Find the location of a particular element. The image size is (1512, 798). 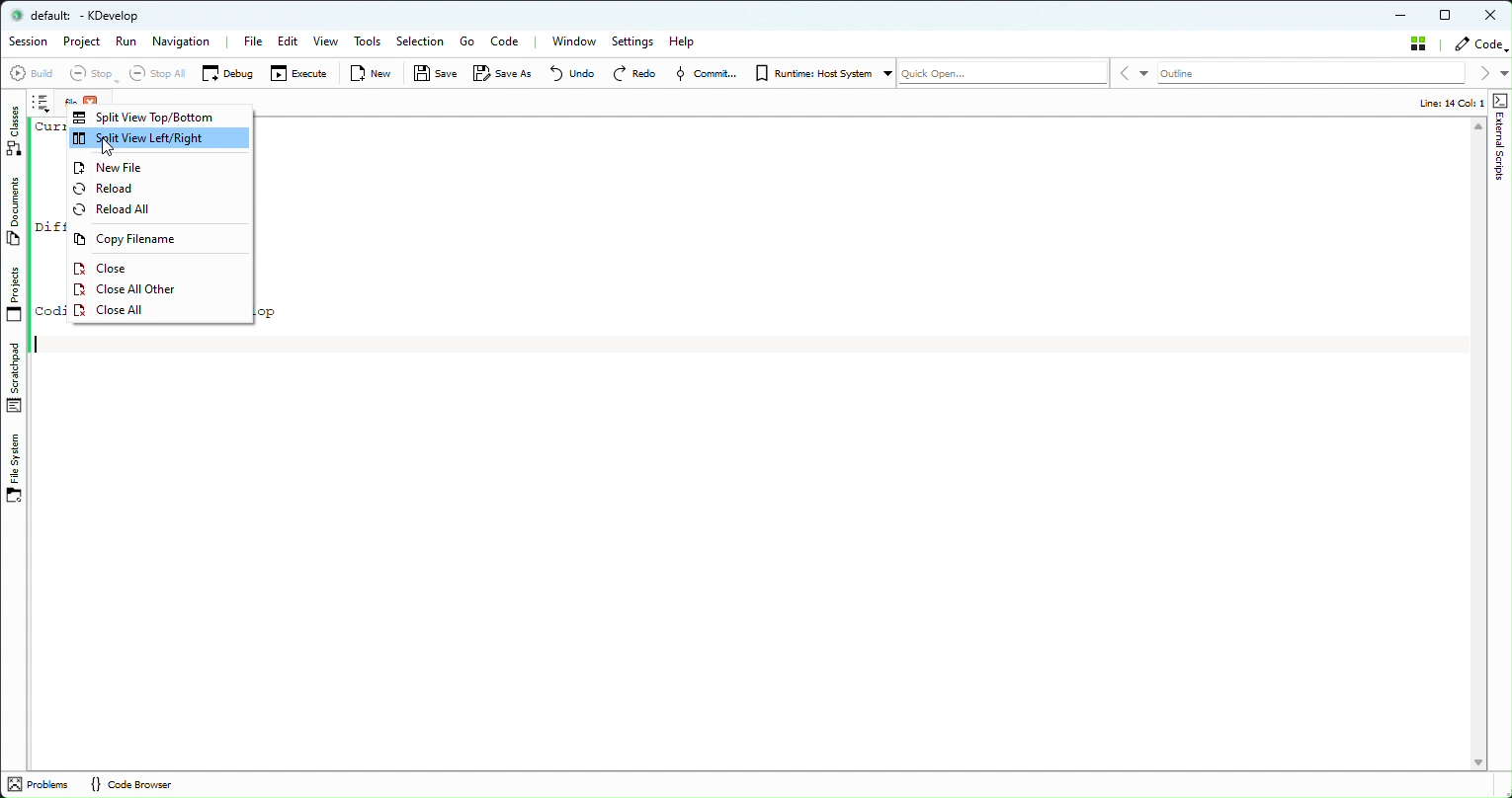

Reload is located at coordinates (162, 190).